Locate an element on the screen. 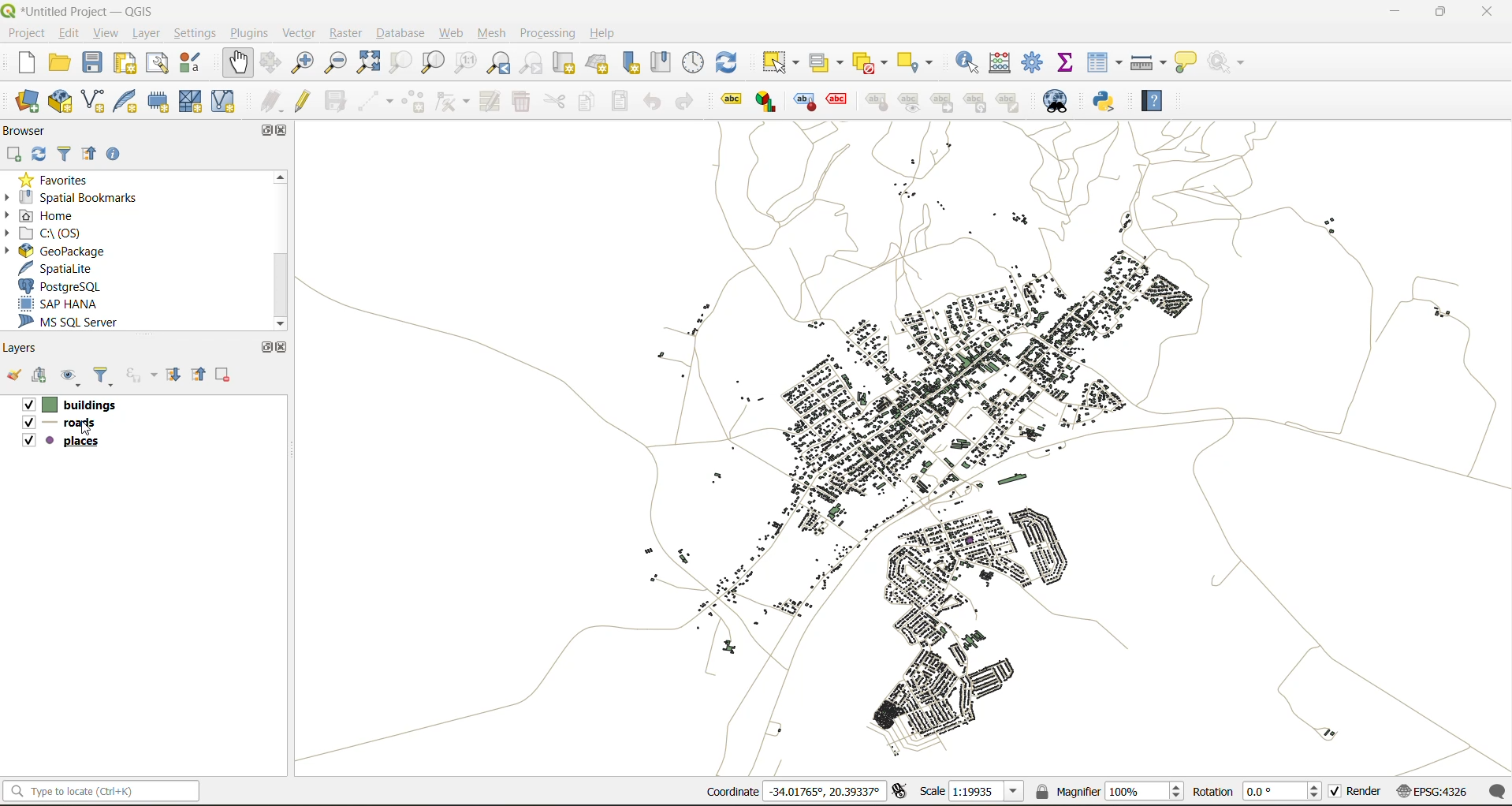  vertex tools is located at coordinates (447, 101).